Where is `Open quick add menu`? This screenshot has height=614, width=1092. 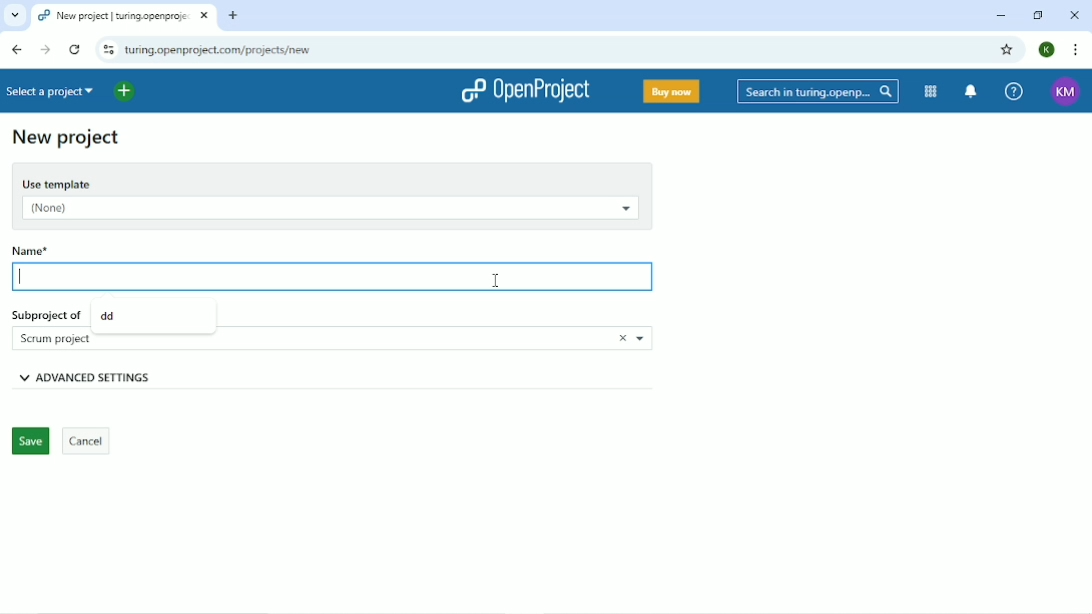
Open quick add menu is located at coordinates (126, 92).